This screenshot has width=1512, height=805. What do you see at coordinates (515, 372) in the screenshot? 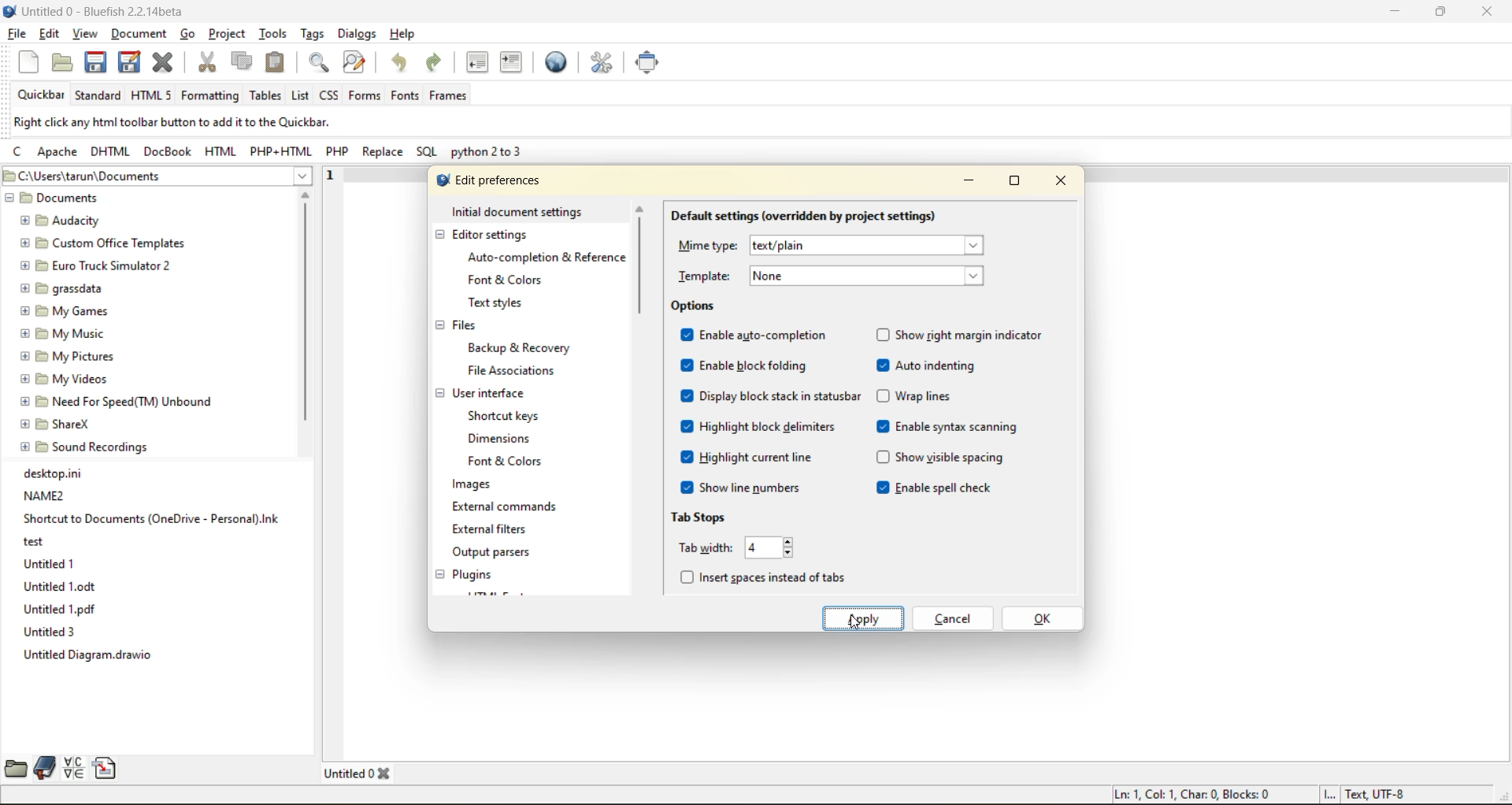
I see `file associations` at bounding box center [515, 372].